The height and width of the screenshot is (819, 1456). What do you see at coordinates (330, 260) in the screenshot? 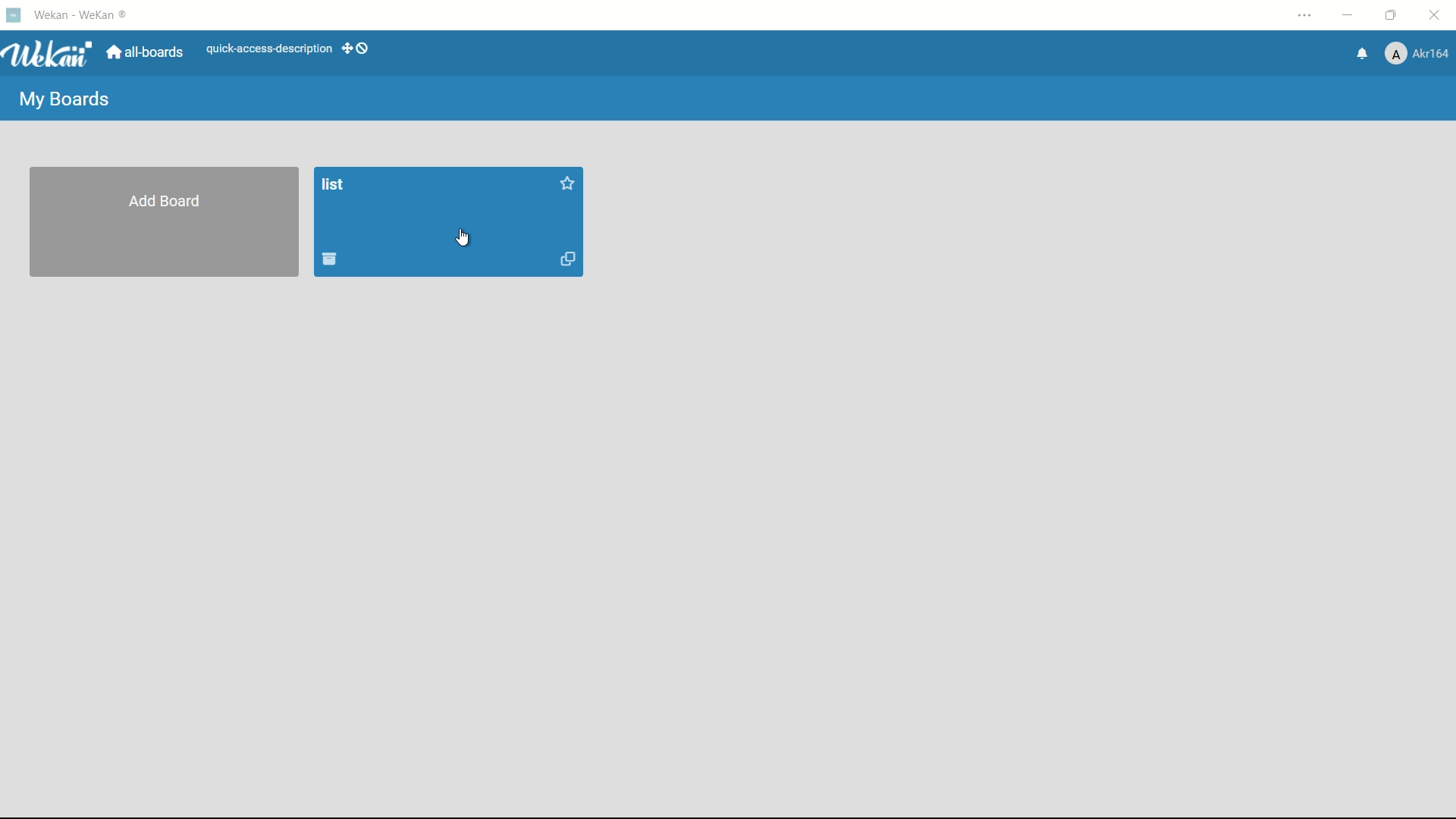
I see `archive` at bounding box center [330, 260].